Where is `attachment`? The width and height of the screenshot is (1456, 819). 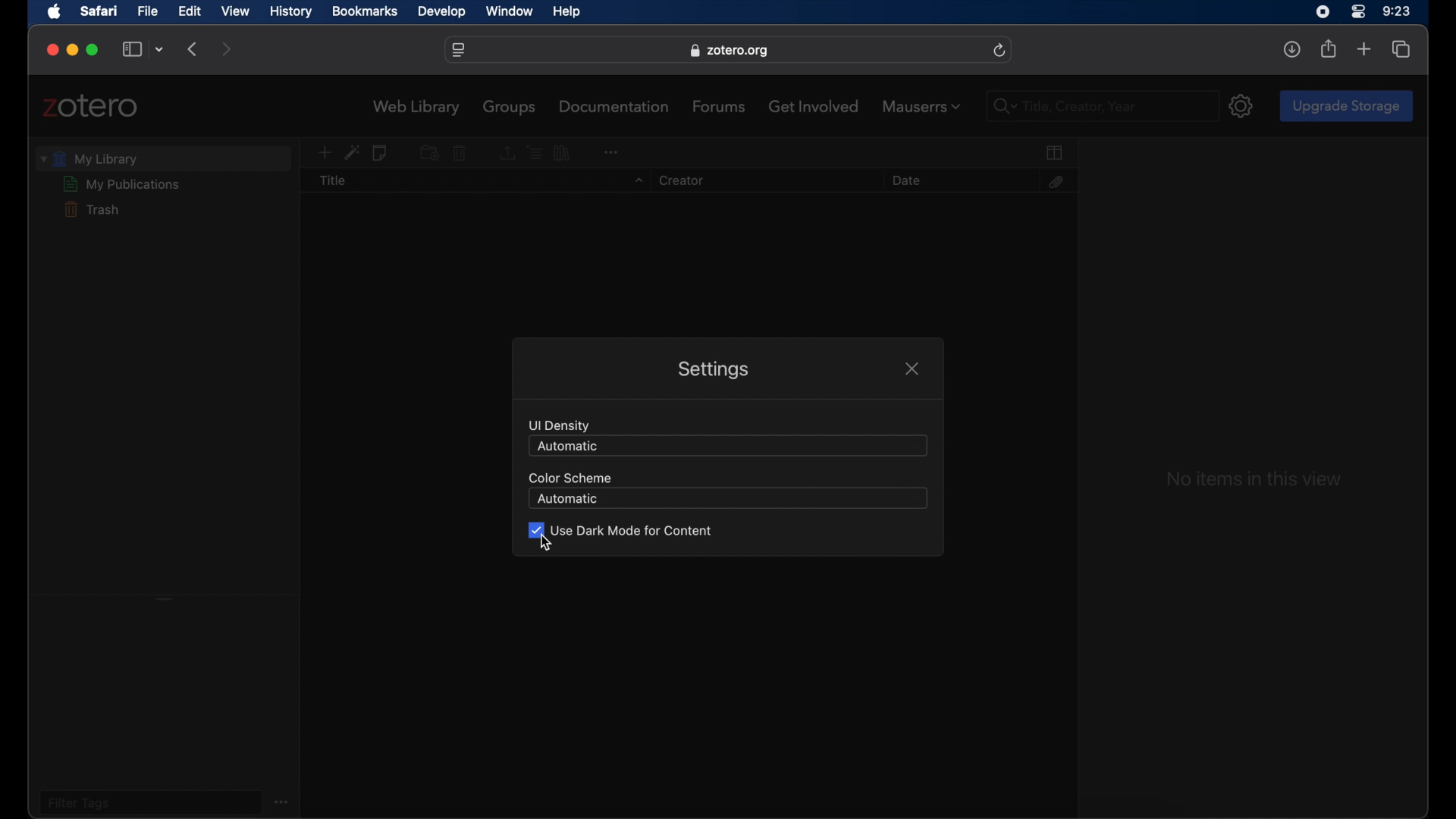
attachment is located at coordinates (1055, 182).